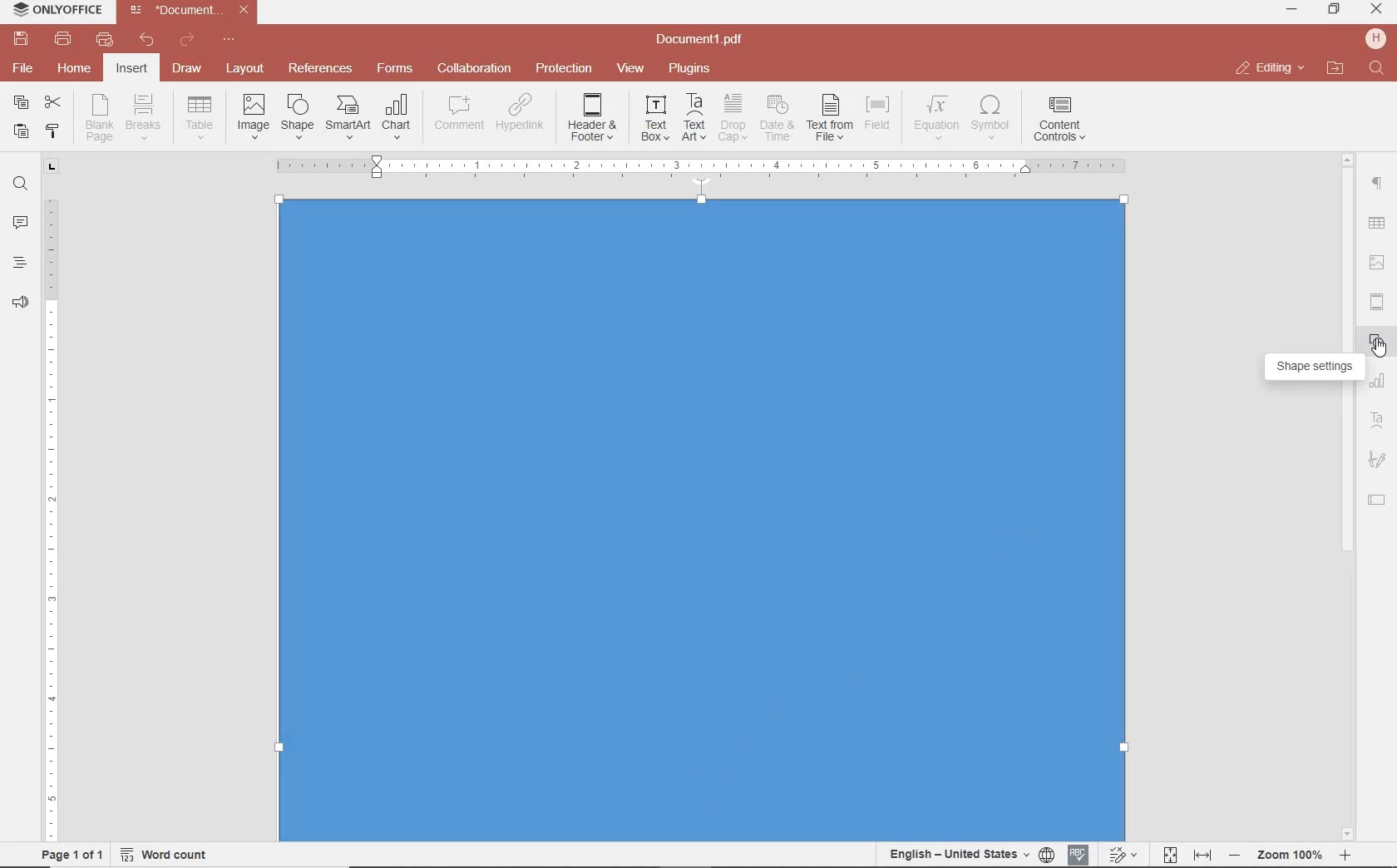 The image size is (1397, 868). What do you see at coordinates (699, 164) in the screenshot?
I see `` at bounding box center [699, 164].